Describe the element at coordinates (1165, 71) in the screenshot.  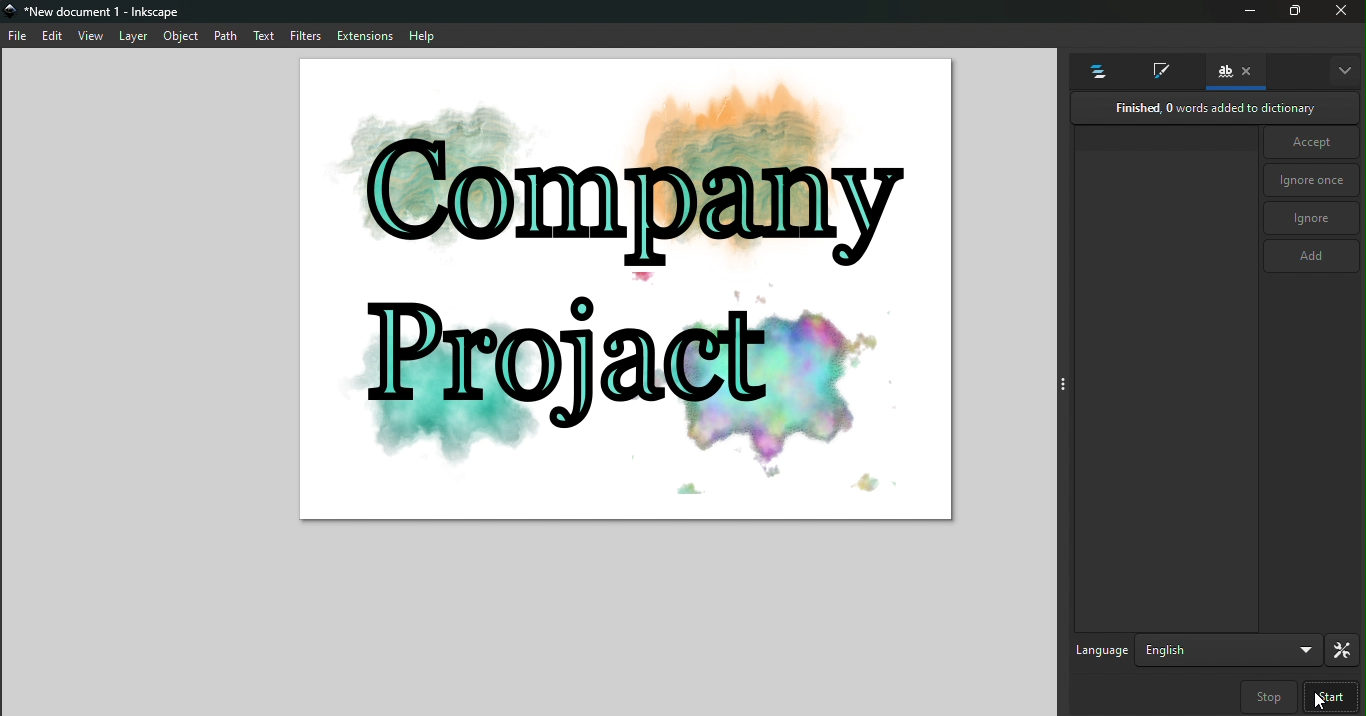
I see `Fill and stroke` at that location.